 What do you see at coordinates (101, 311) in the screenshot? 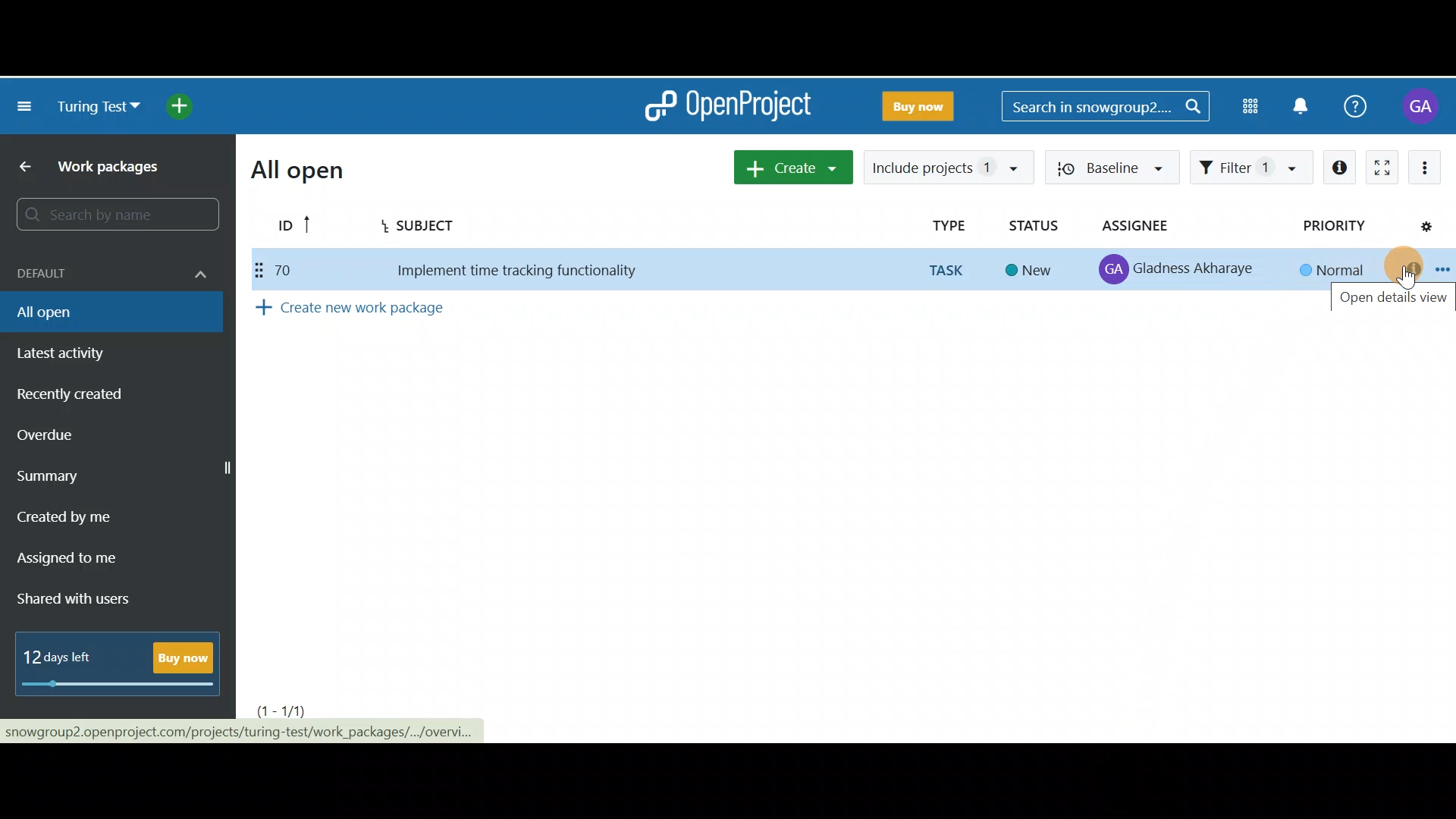
I see `All open` at bounding box center [101, 311].